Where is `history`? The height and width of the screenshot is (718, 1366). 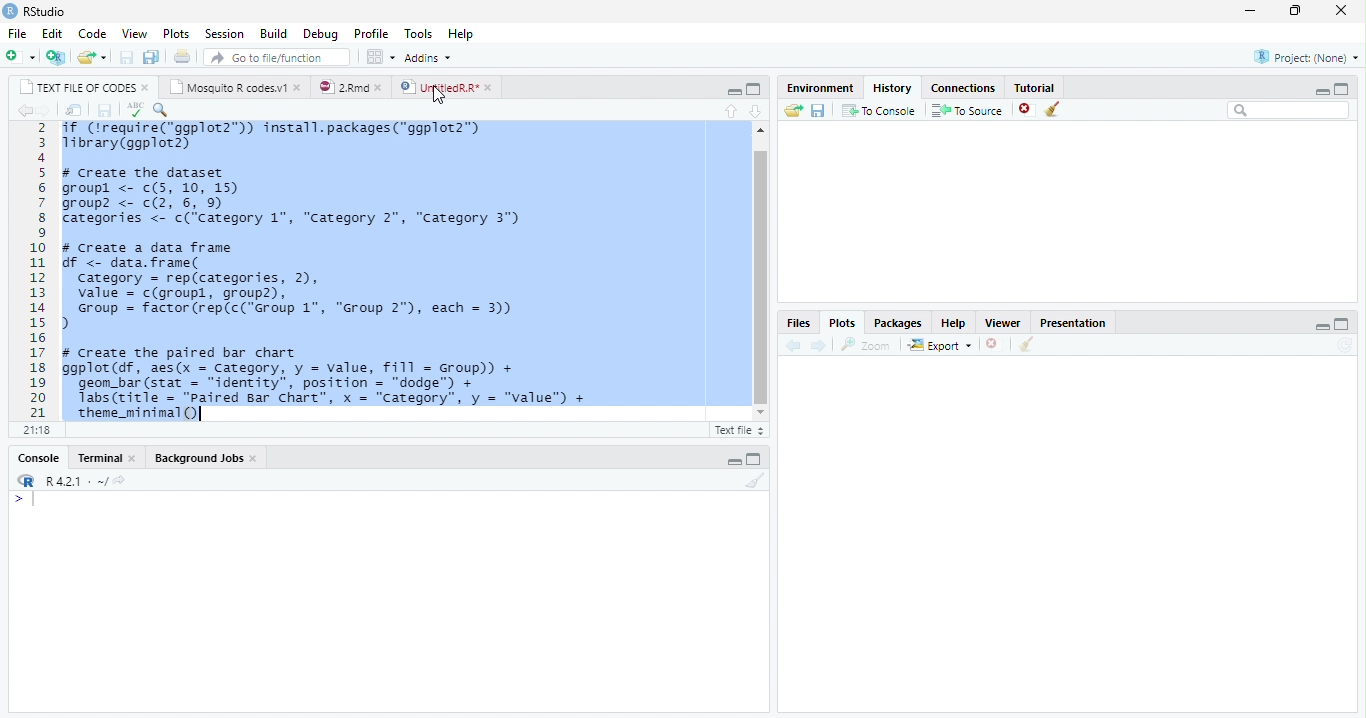 history is located at coordinates (891, 87).